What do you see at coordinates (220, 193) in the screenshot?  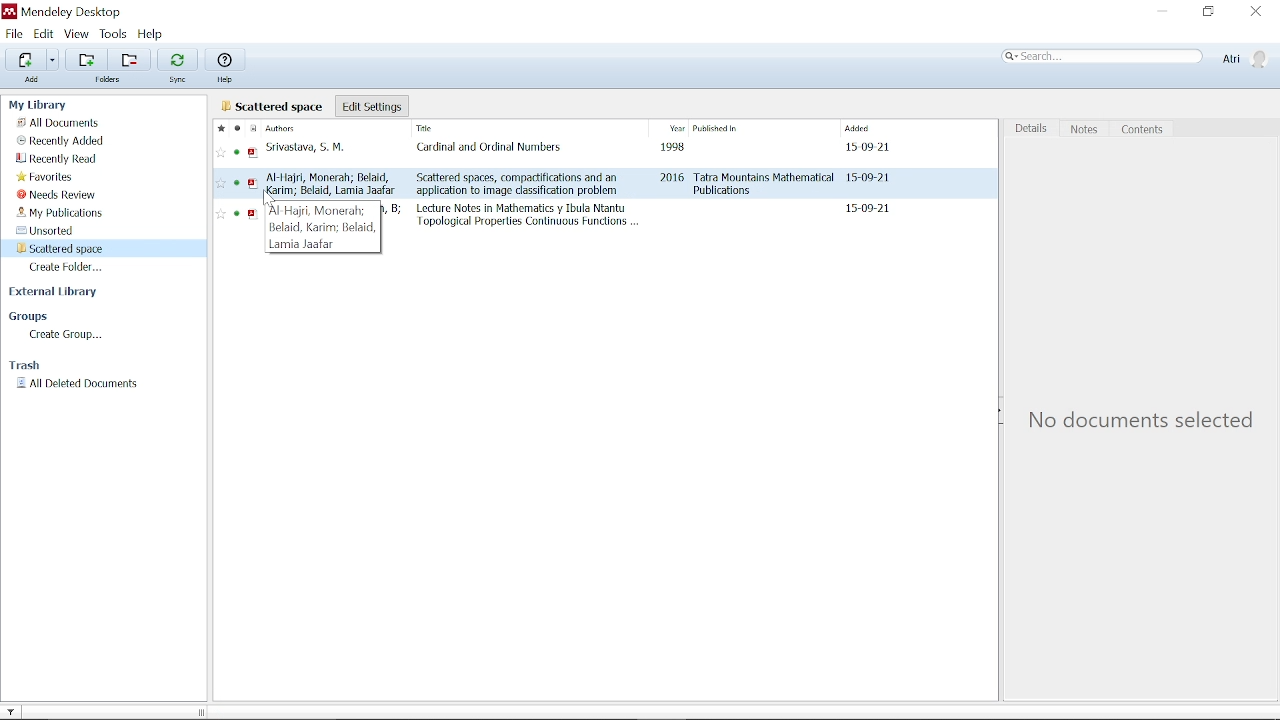 I see `favorite` at bounding box center [220, 193].